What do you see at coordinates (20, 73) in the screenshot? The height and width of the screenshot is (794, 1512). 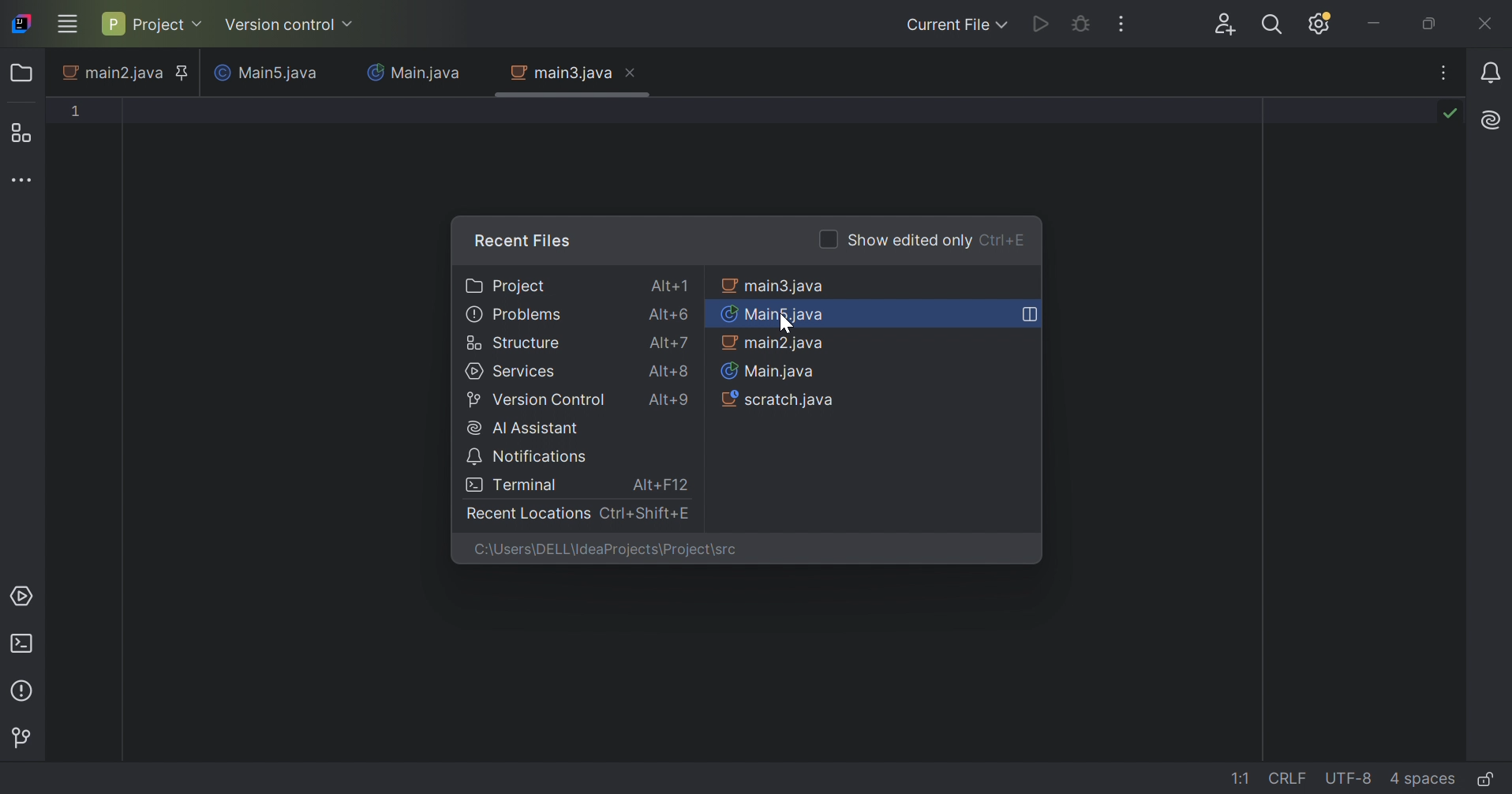 I see `Folder icon` at bounding box center [20, 73].